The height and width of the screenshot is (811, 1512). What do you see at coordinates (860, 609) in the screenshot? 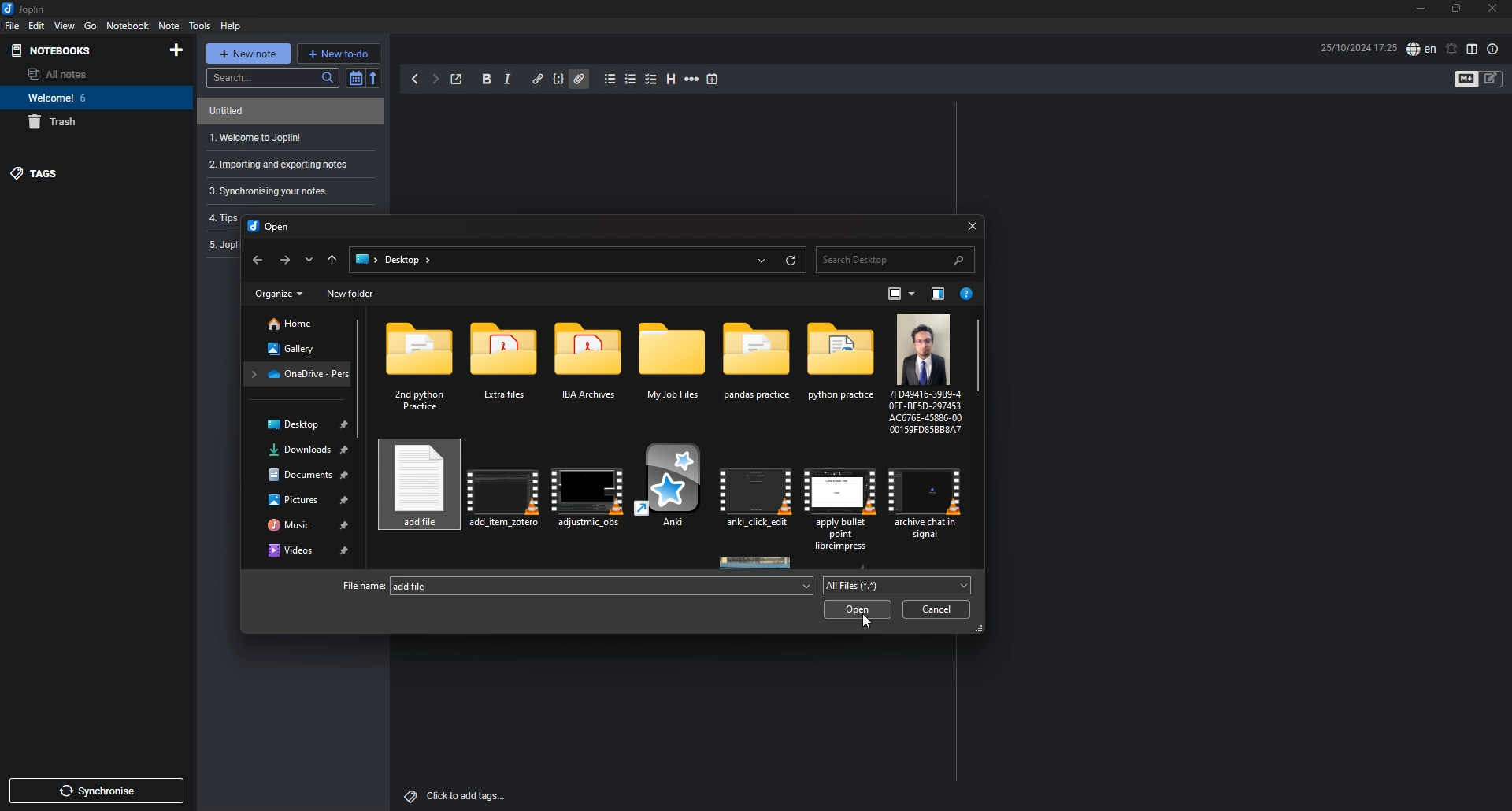
I see `open` at bounding box center [860, 609].